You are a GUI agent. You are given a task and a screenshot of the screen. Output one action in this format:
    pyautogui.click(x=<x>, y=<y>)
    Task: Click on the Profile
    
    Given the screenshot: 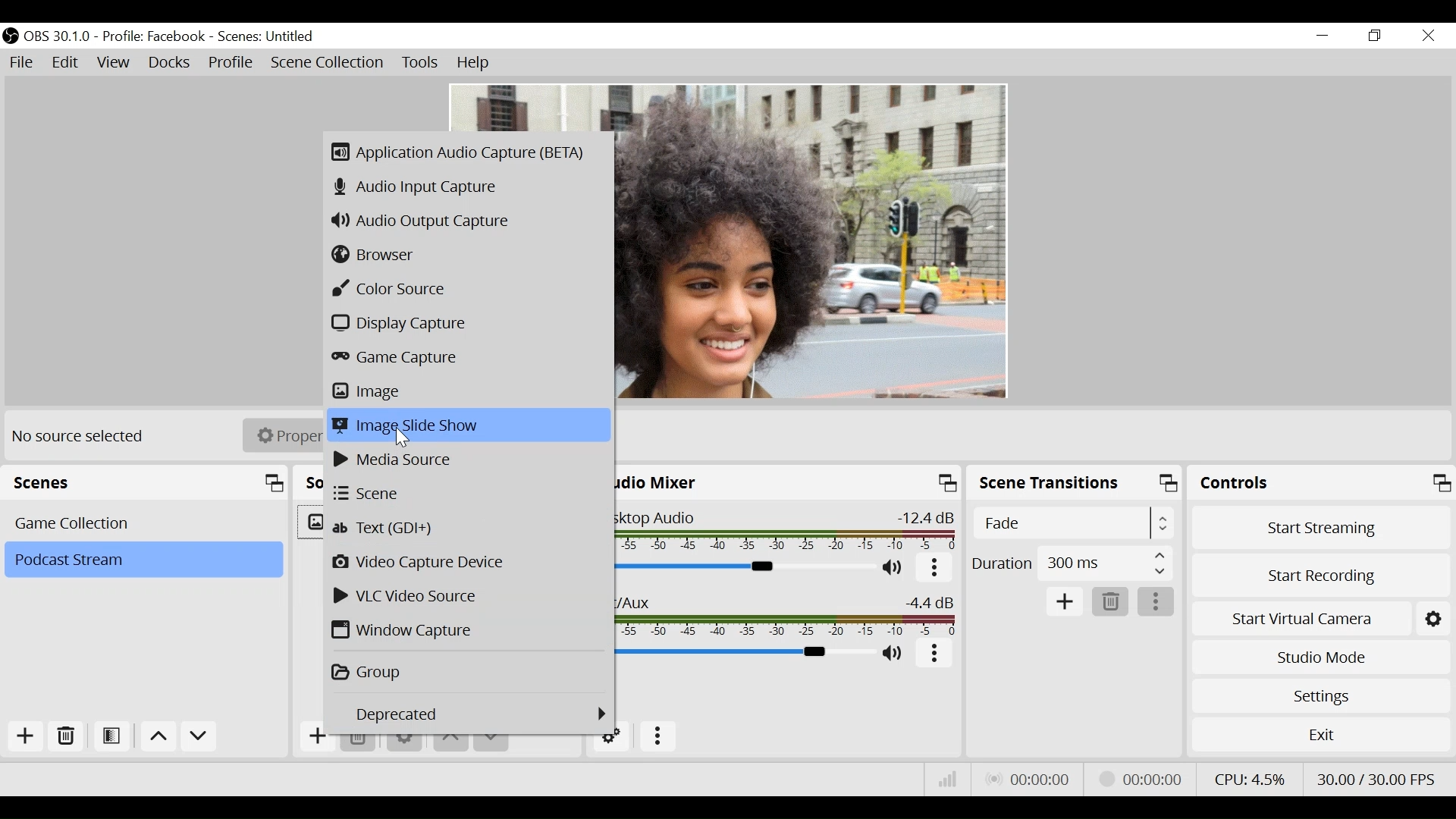 What is the action you would take?
    pyautogui.click(x=231, y=64)
    